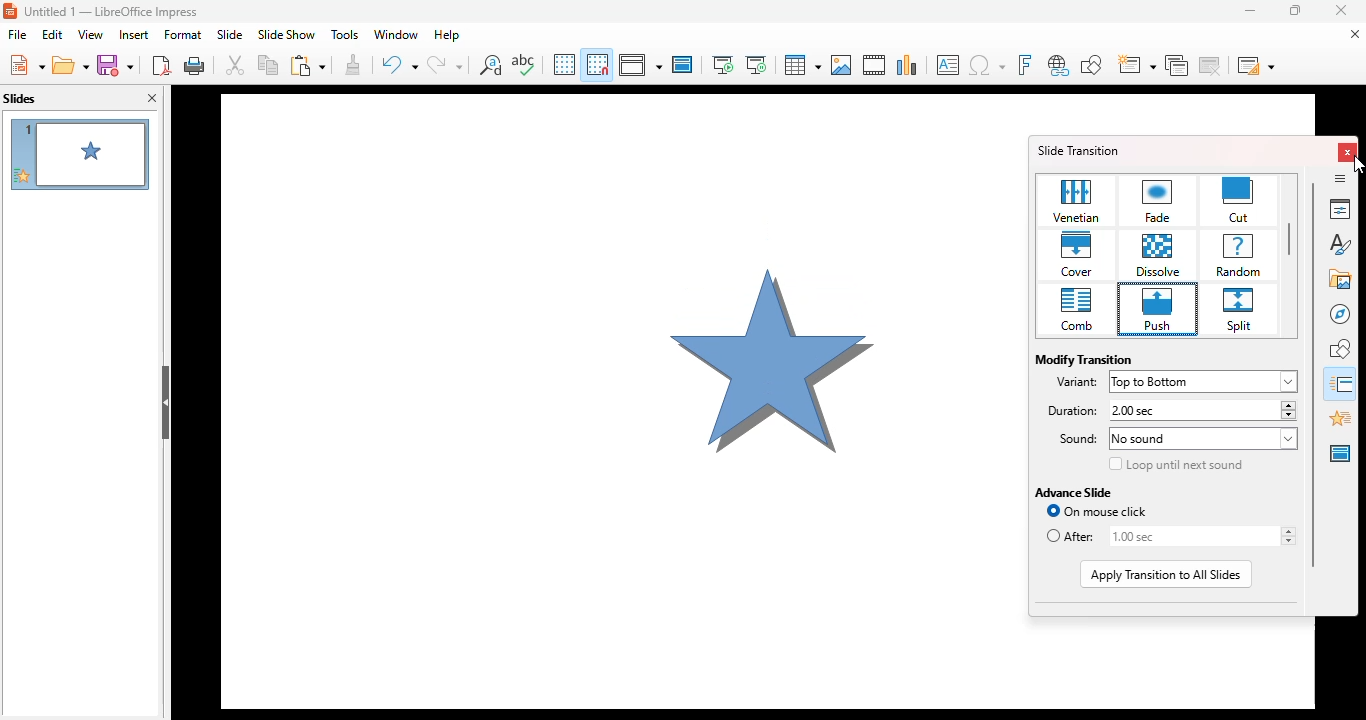  Describe the element at coordinates (235, 64) in the screenshot. I see `cut` at that location.